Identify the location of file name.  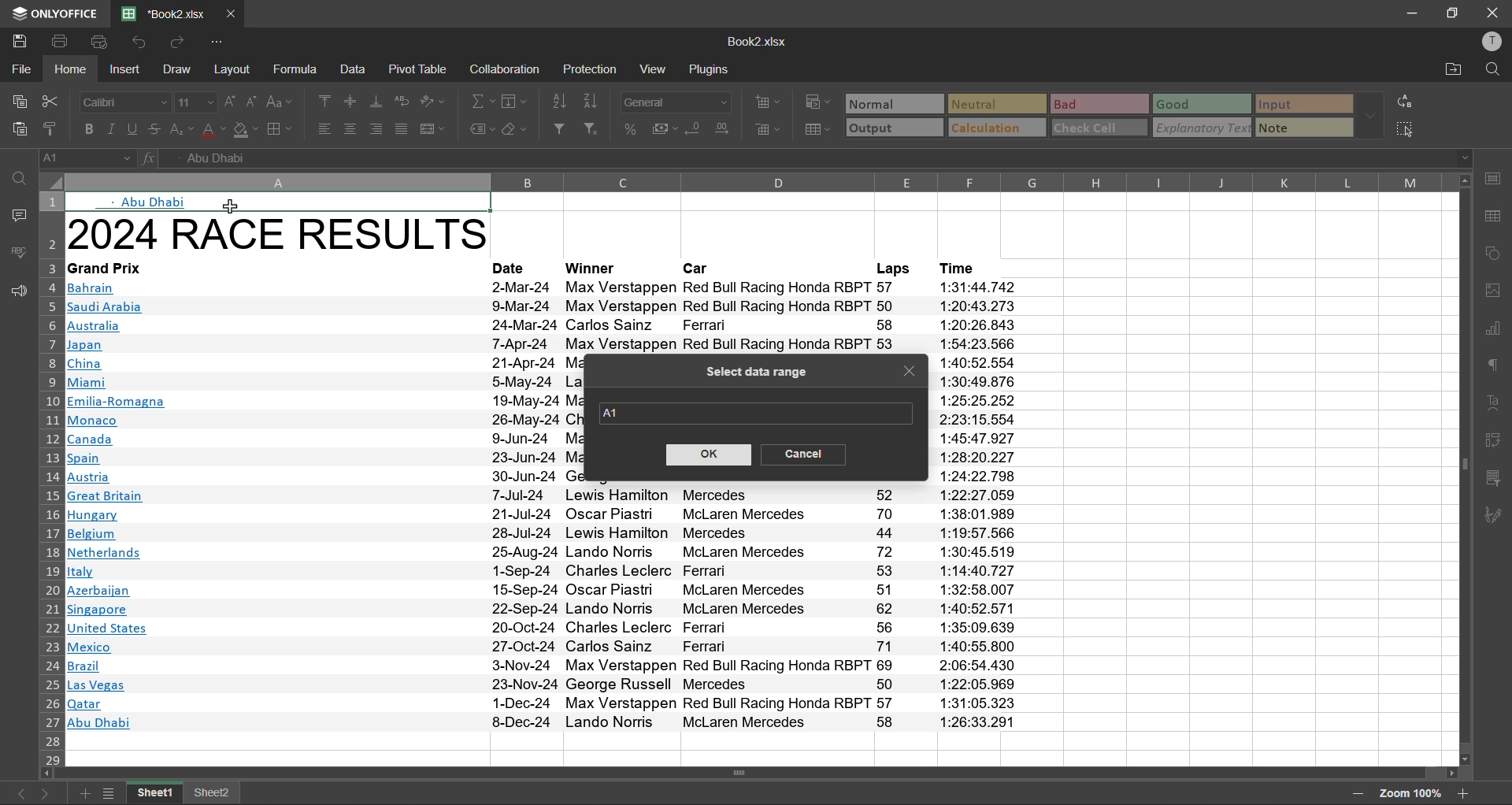
(170, 14).